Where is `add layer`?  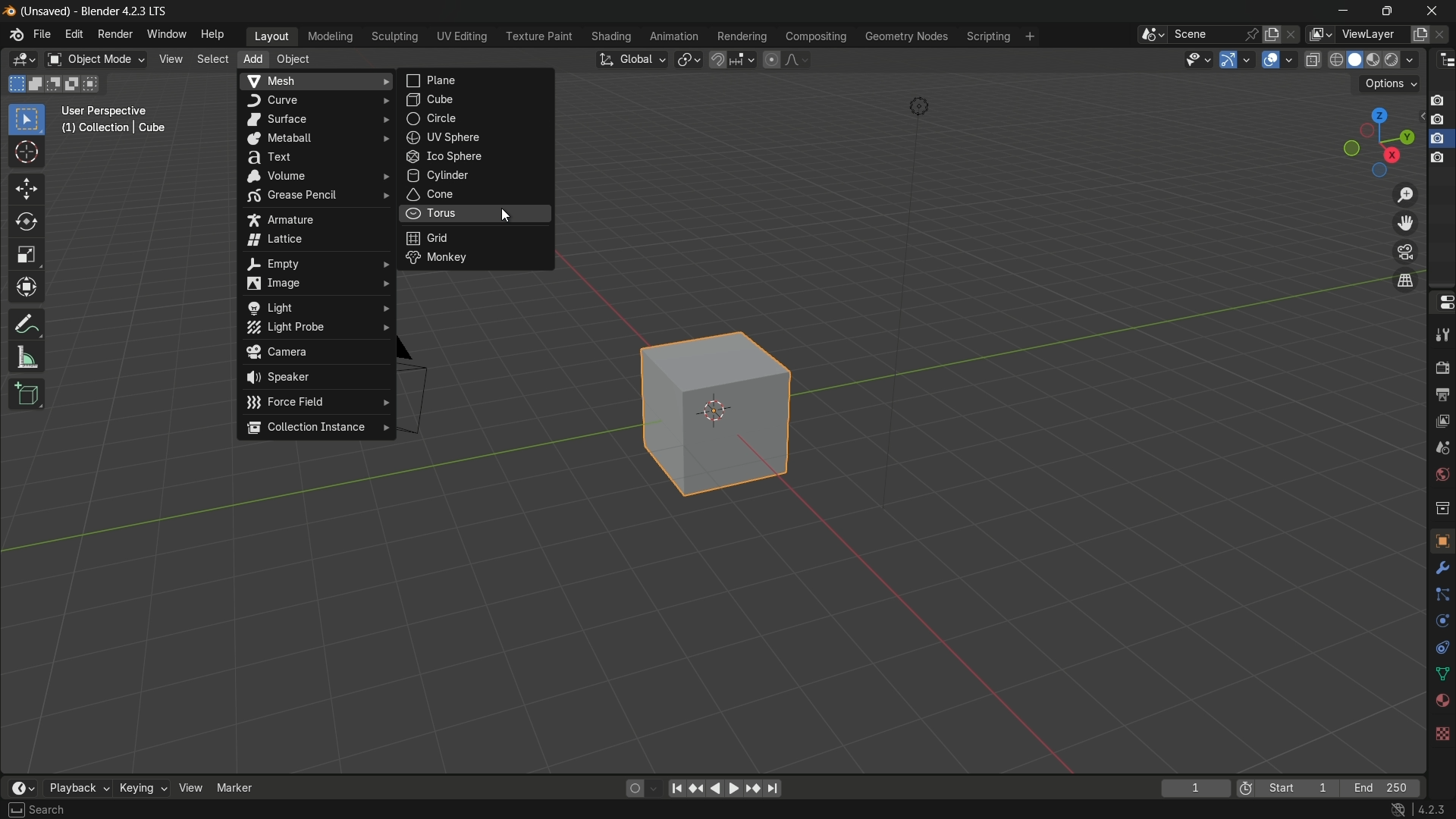
add layer is located at coordinates (1420, 35).